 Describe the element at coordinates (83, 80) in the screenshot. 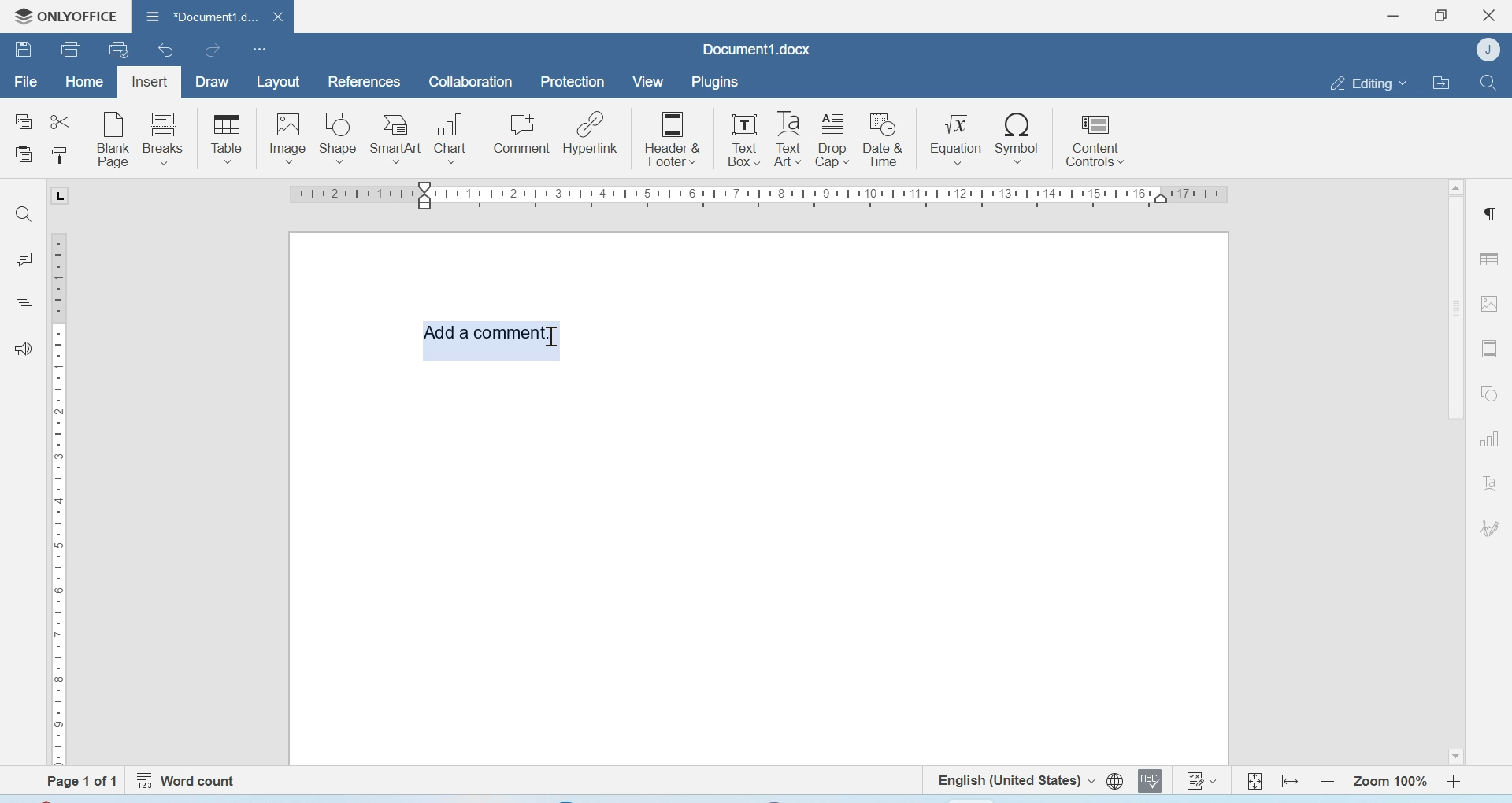

I see `Home` at that location.